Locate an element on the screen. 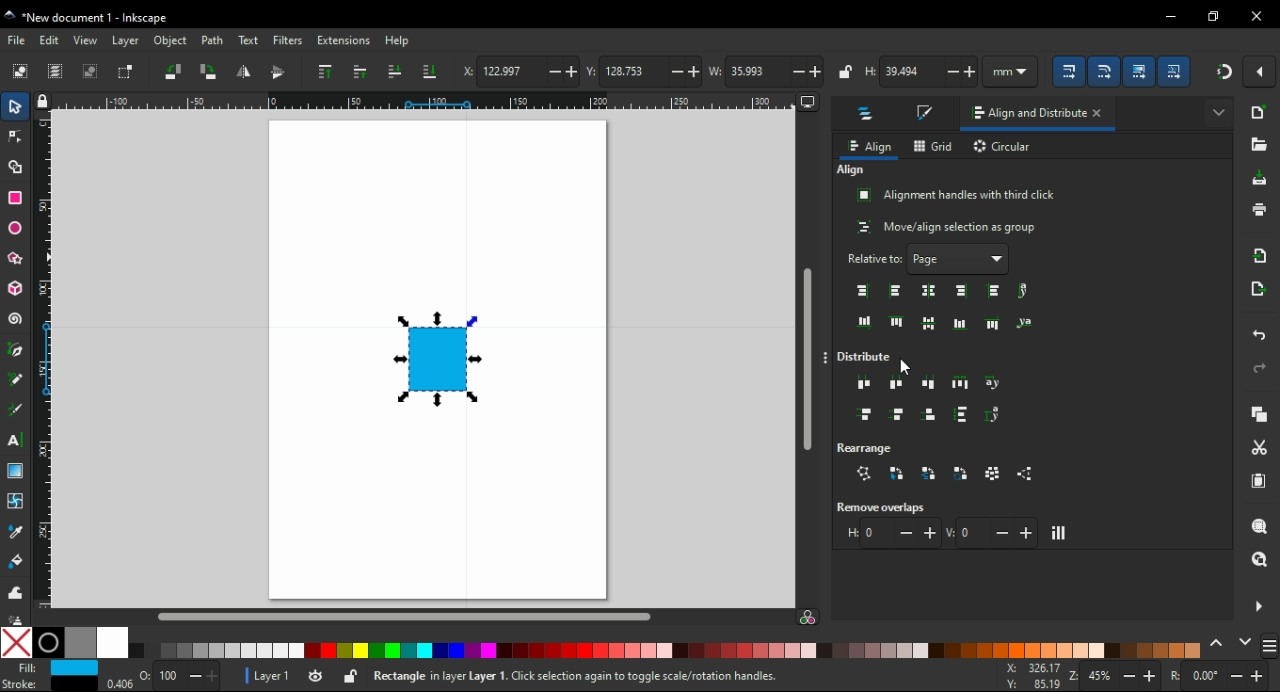  move gradients along with the objects is located at coordinates (1140, 71).